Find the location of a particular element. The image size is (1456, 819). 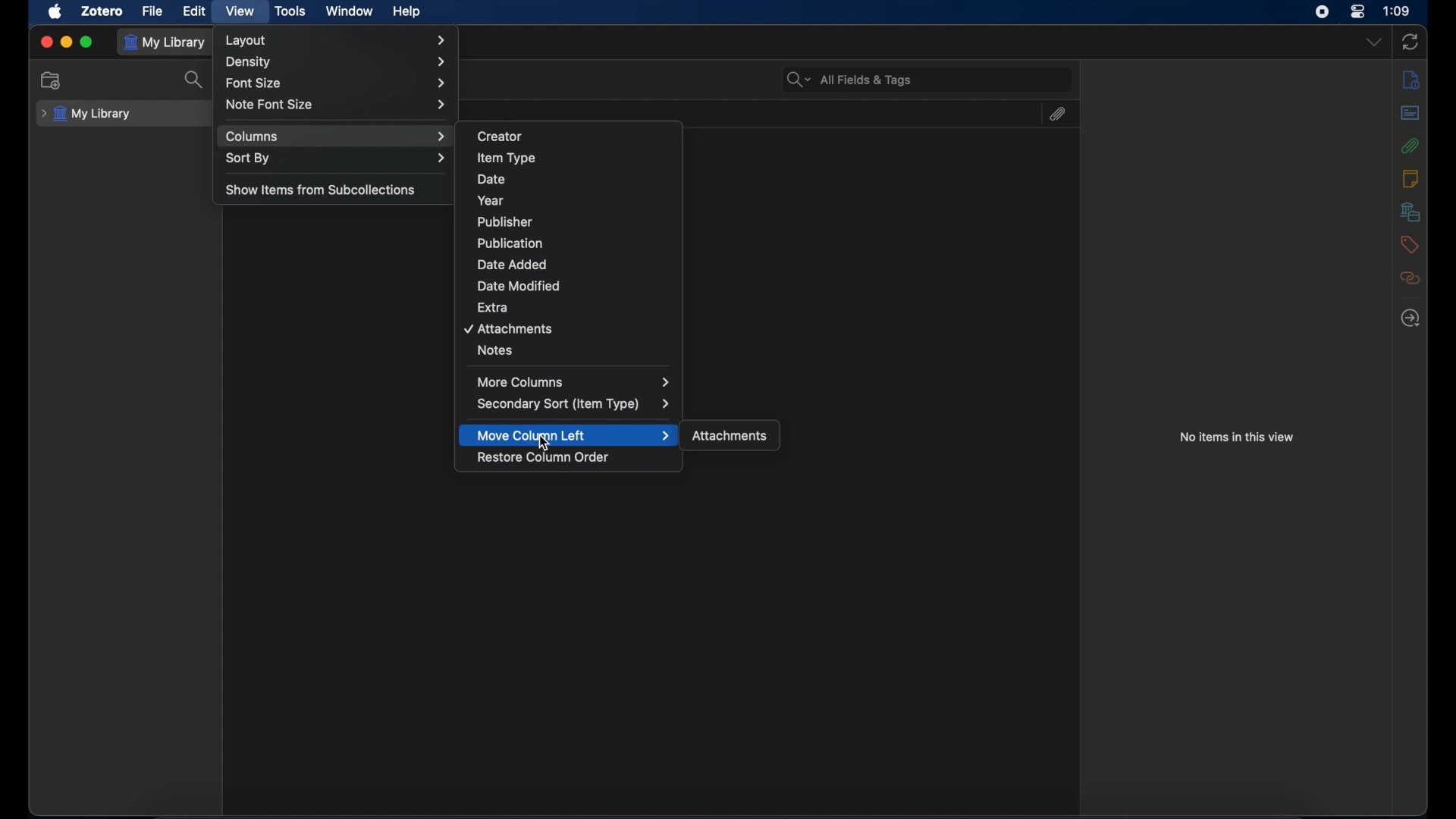

layout is located at coordinates (335, 40).